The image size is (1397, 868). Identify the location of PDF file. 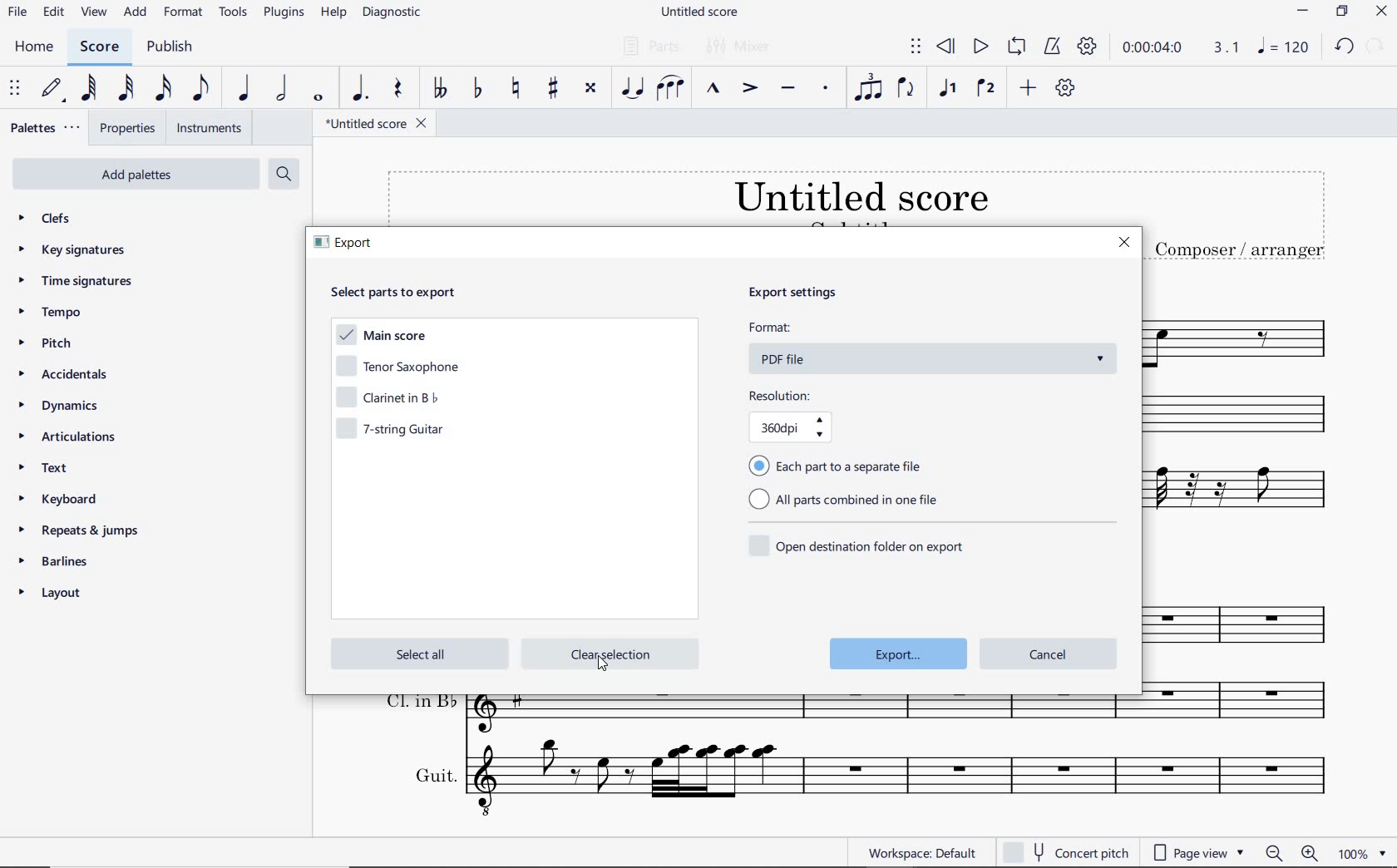
(941, 358).